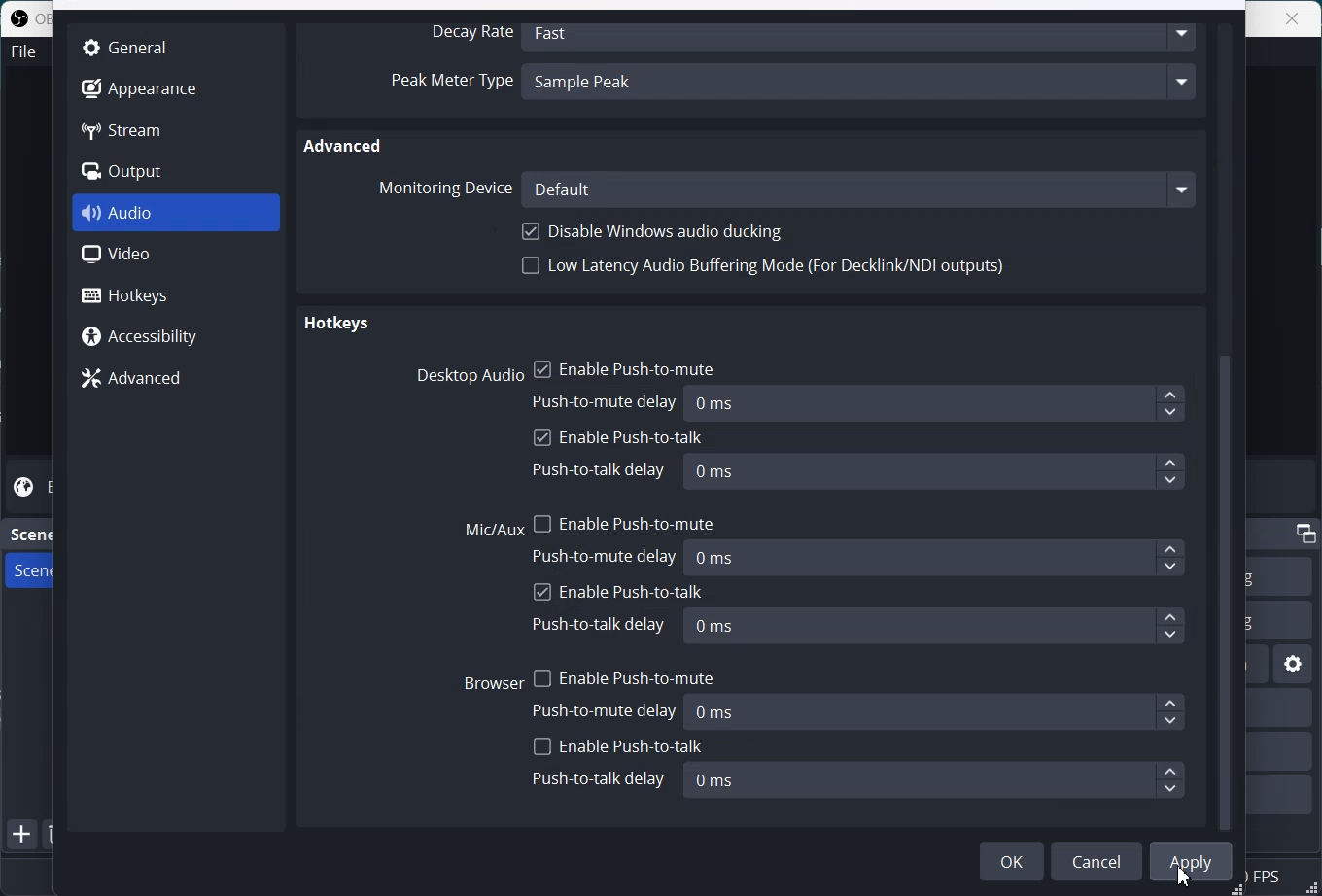 The height and width of the screenshot is (896, 1322). I want to click on Disable Windows audio ducking, so click(656, 231).